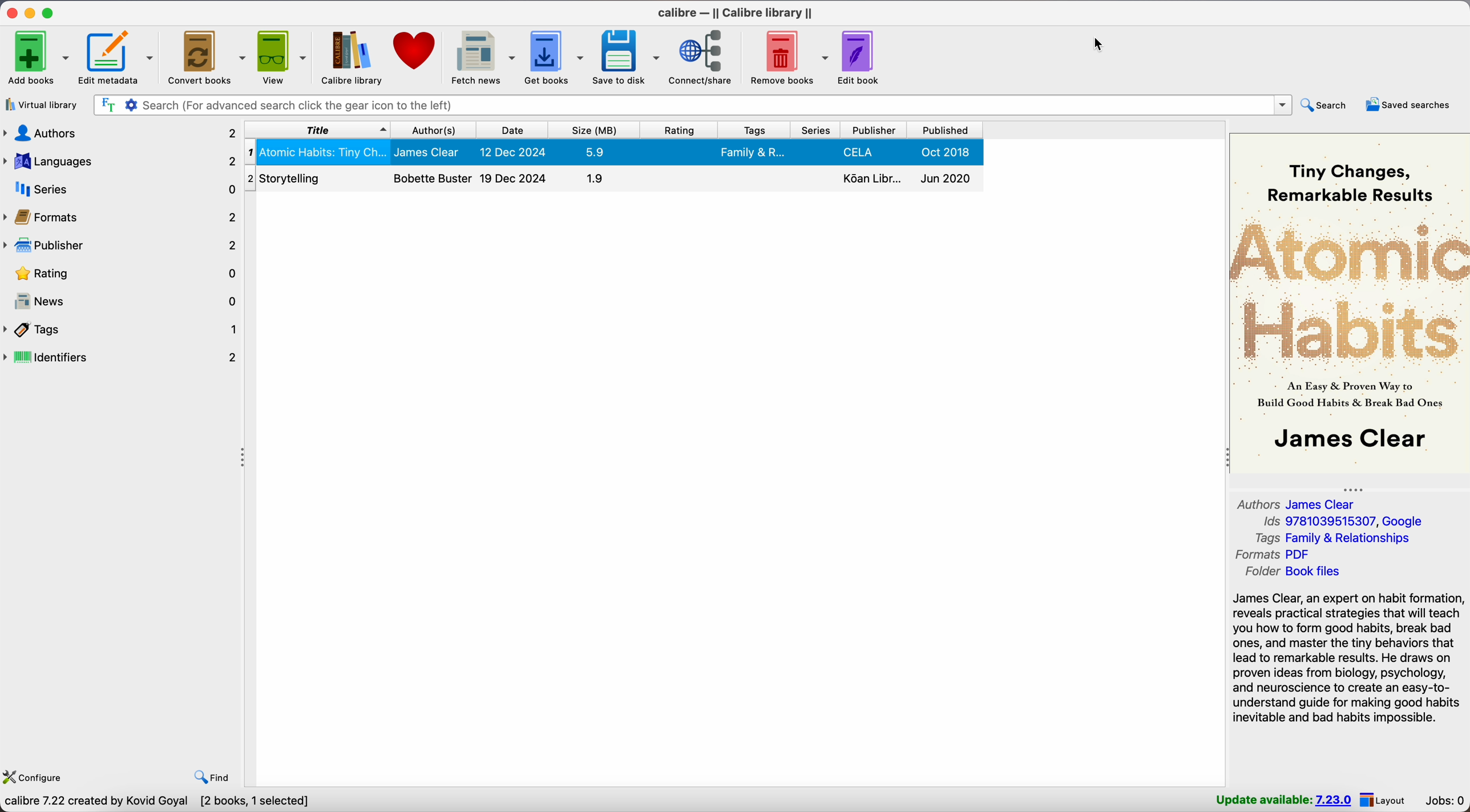 The image size is (1470, 812). I want to click on series, so click(814, 130).